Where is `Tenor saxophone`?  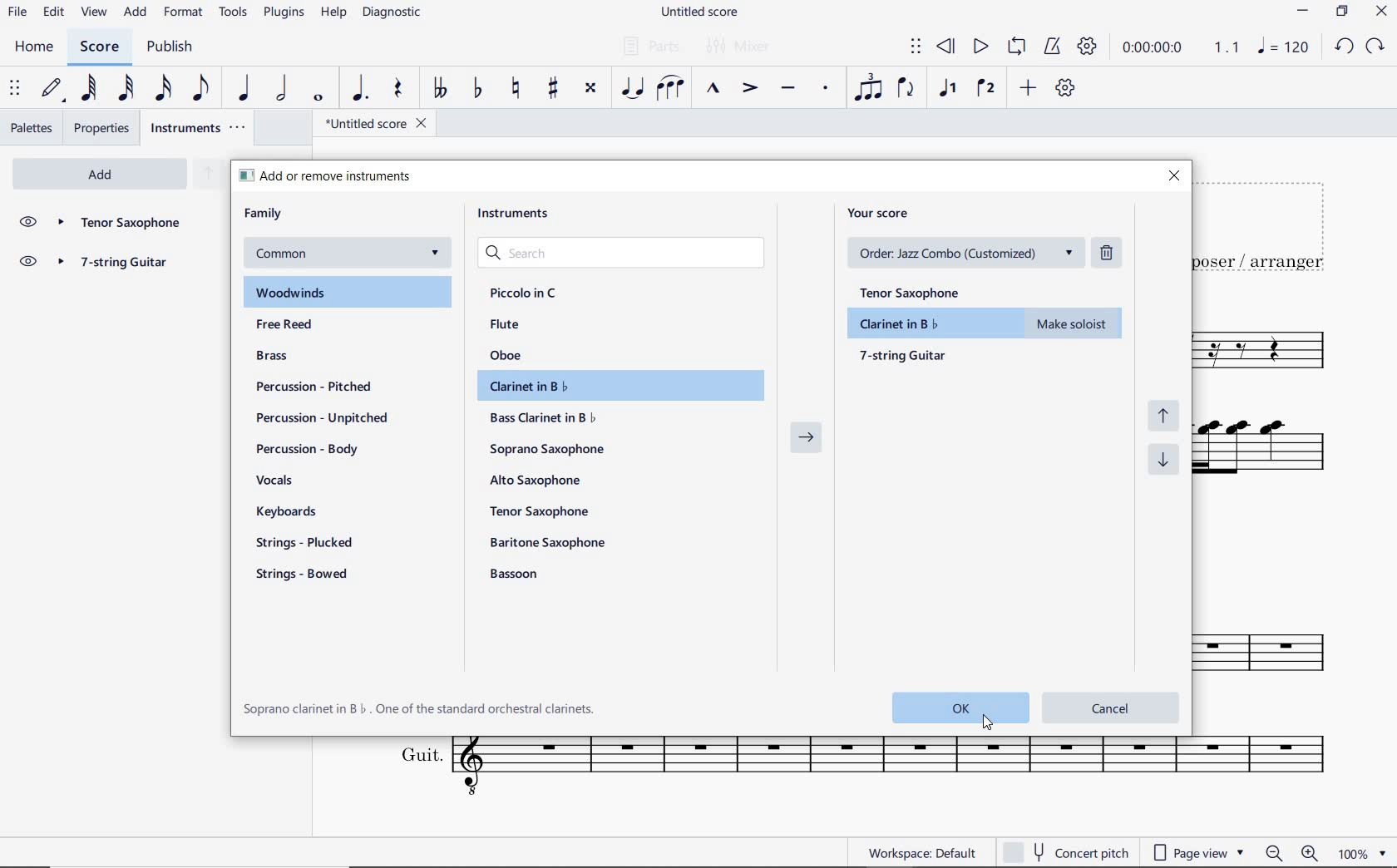
Tenor saxophone is located at coordinates (119, 224).